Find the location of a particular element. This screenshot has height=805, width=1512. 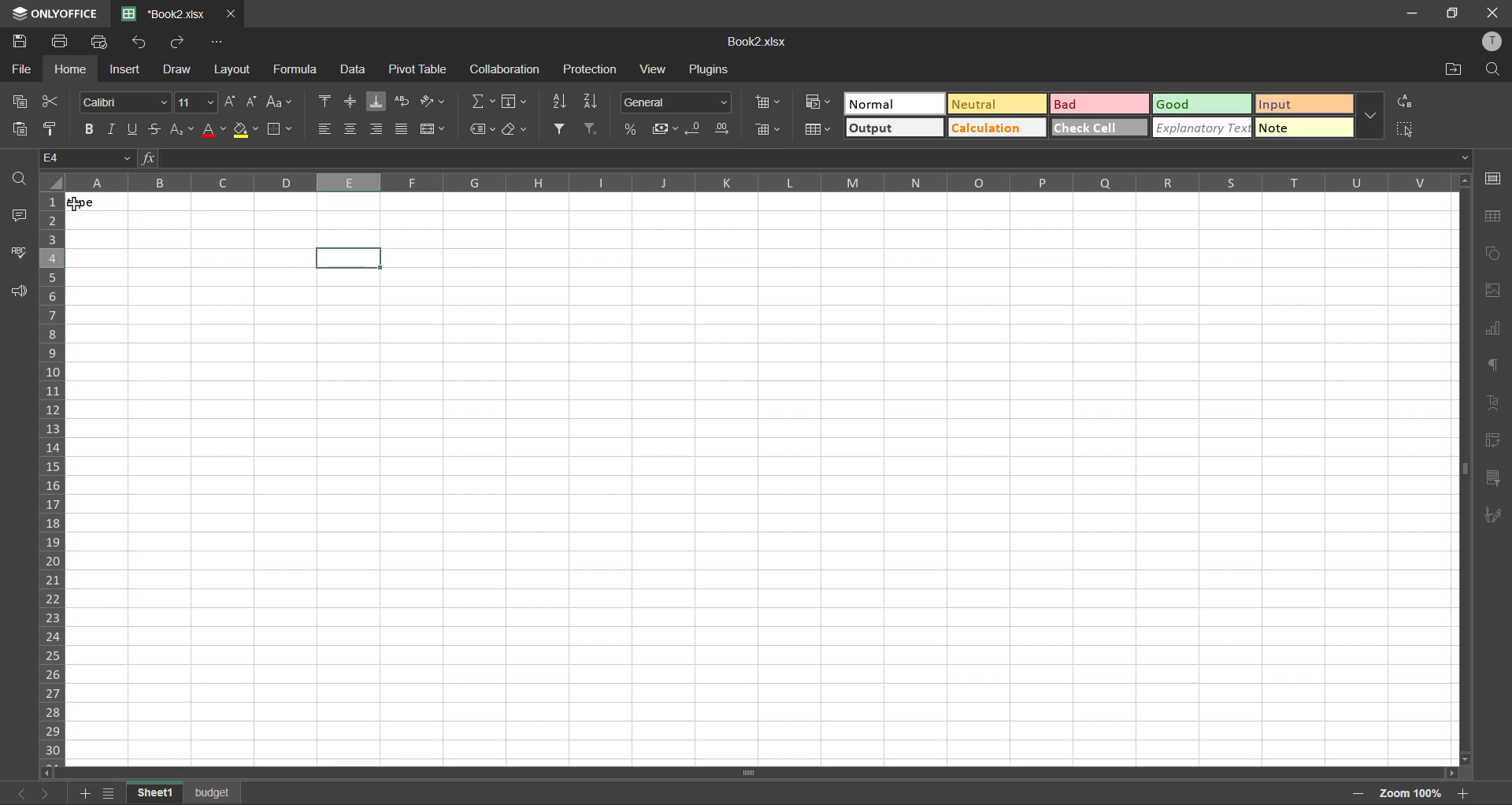

font color is located at coordinates (214, 130).